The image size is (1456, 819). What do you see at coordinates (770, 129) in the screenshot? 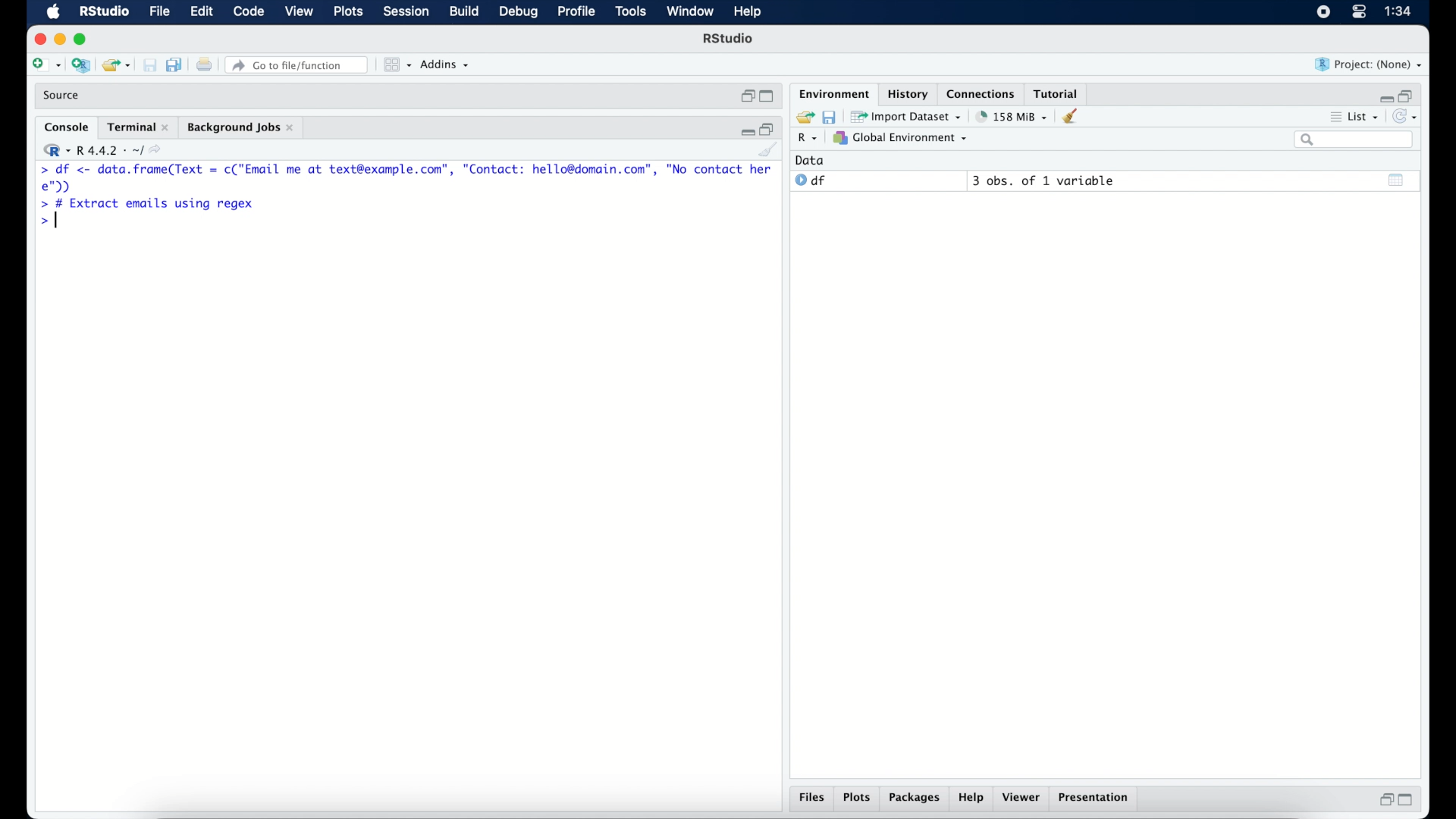
I see `restore down` at bounding box center [770, 129].